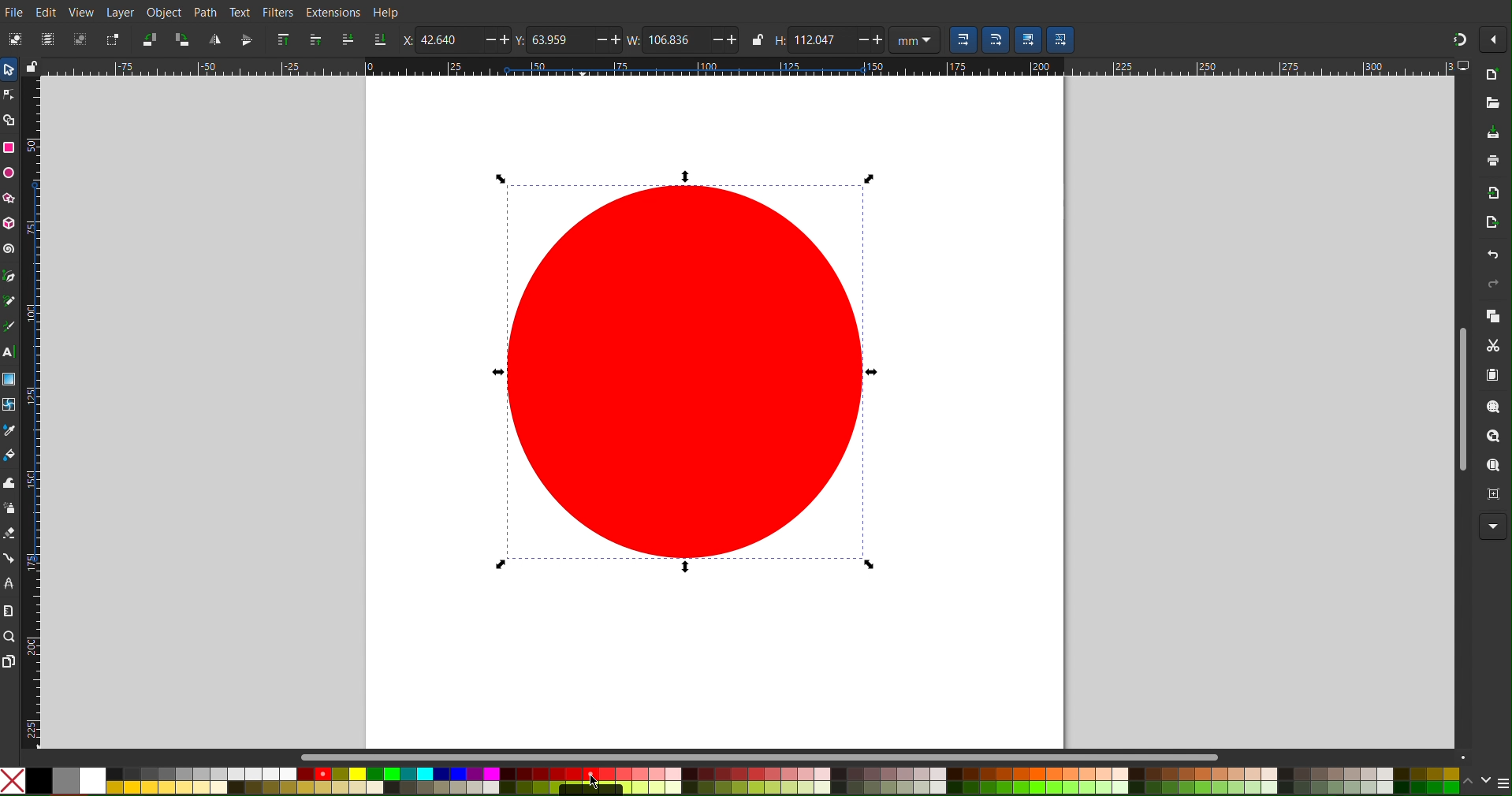  What do you see at coordinates (386, 11) in the screenshot?
I see `Help` at bounding box center [386, 11].